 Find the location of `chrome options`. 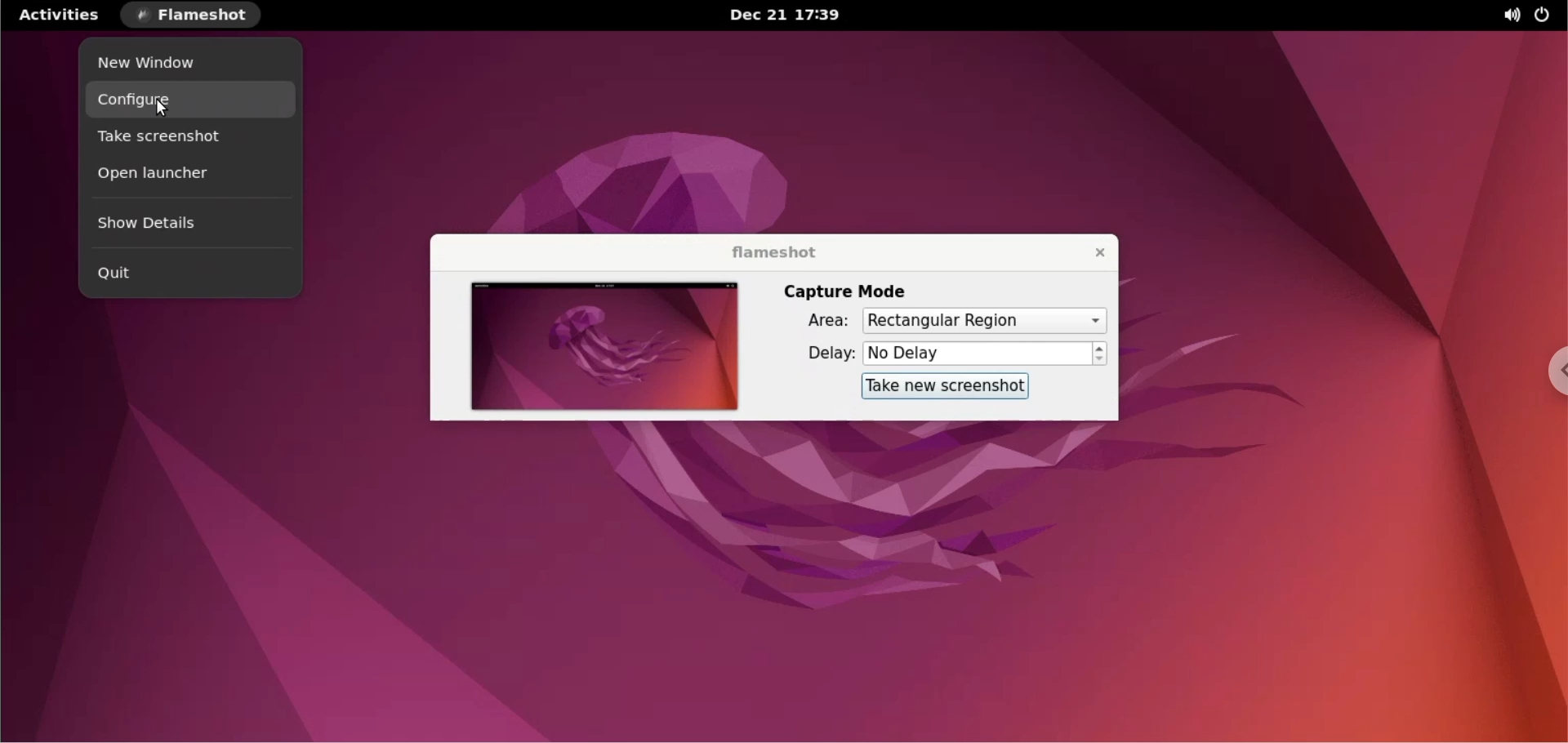

chrome options is located at coordinates (1550, 372).